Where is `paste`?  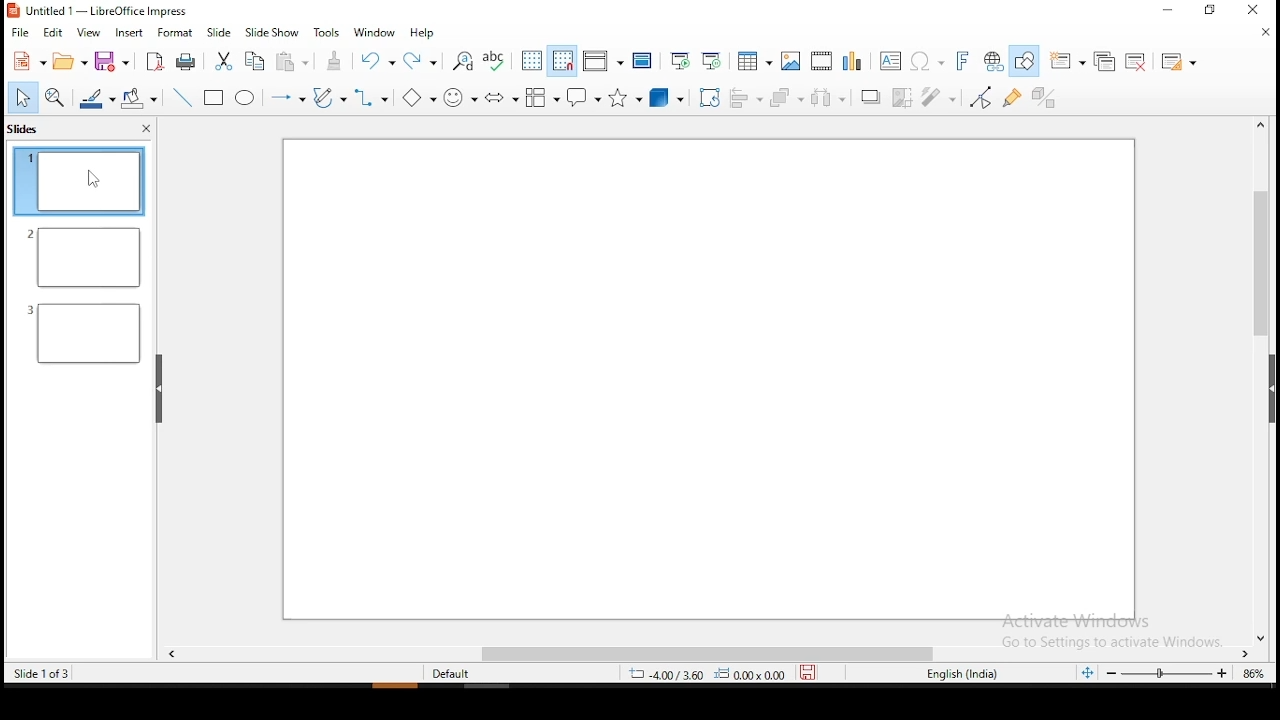
paste is located at coordinates (292, 60).